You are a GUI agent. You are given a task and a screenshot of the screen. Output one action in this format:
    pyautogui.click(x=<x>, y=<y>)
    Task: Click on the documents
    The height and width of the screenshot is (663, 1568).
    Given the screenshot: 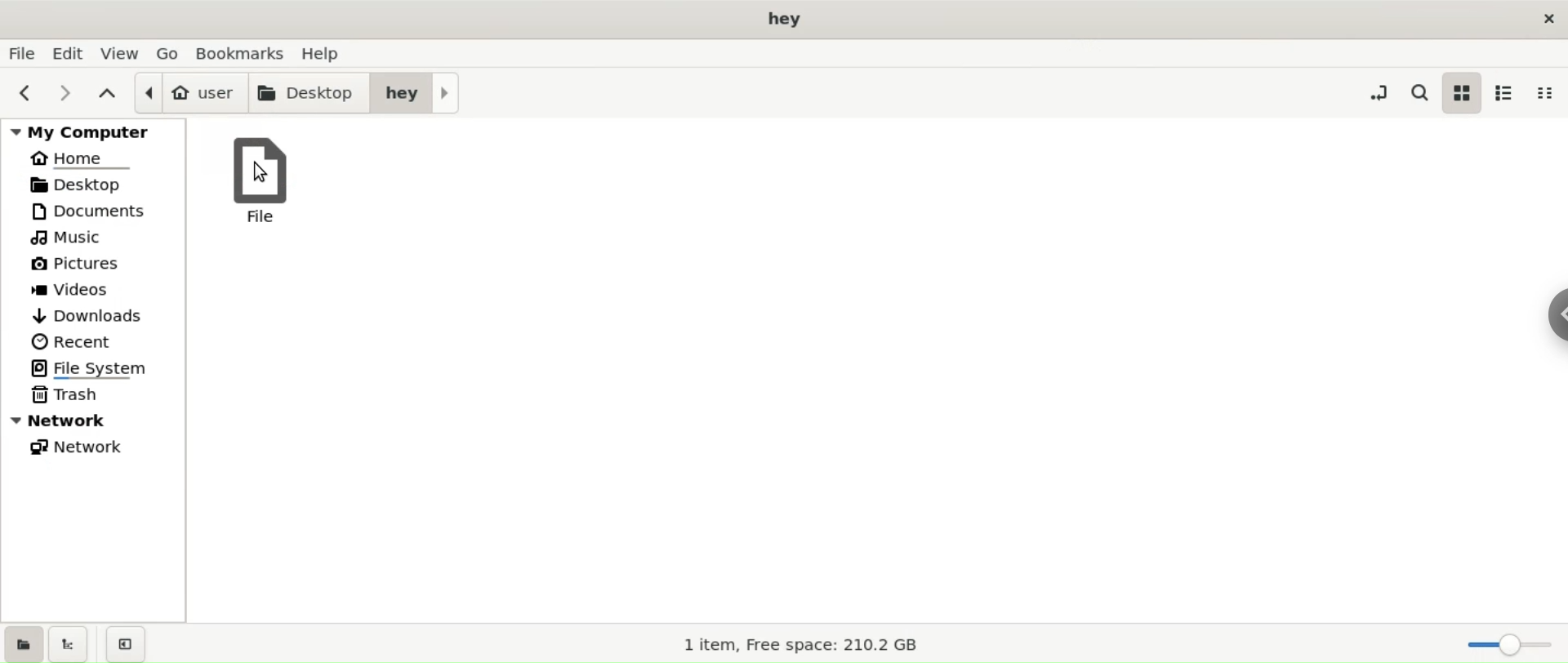 What is the action you would take?
    pyautogui.click(x=98, y=212)
    